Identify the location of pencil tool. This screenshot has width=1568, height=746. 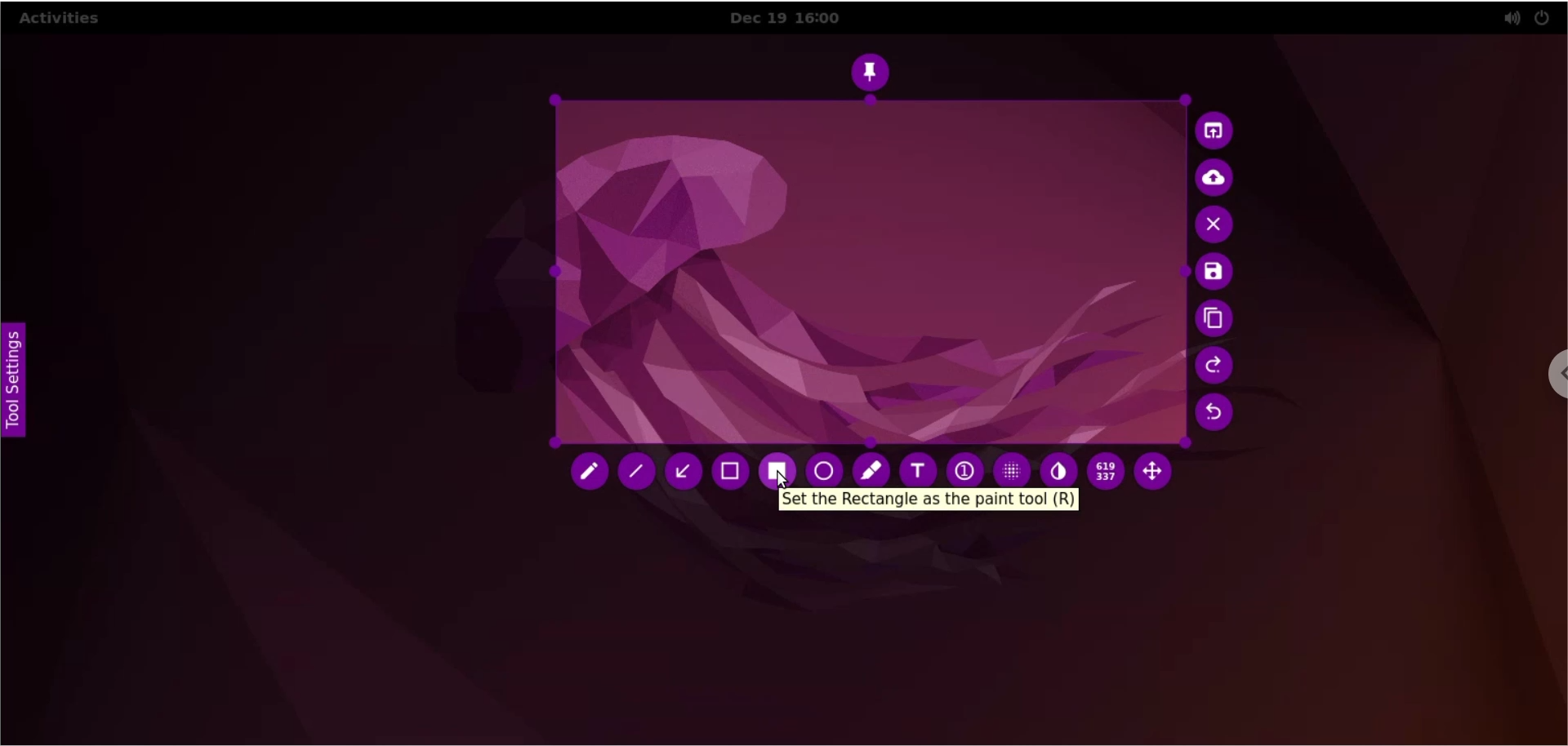
(589, 475).